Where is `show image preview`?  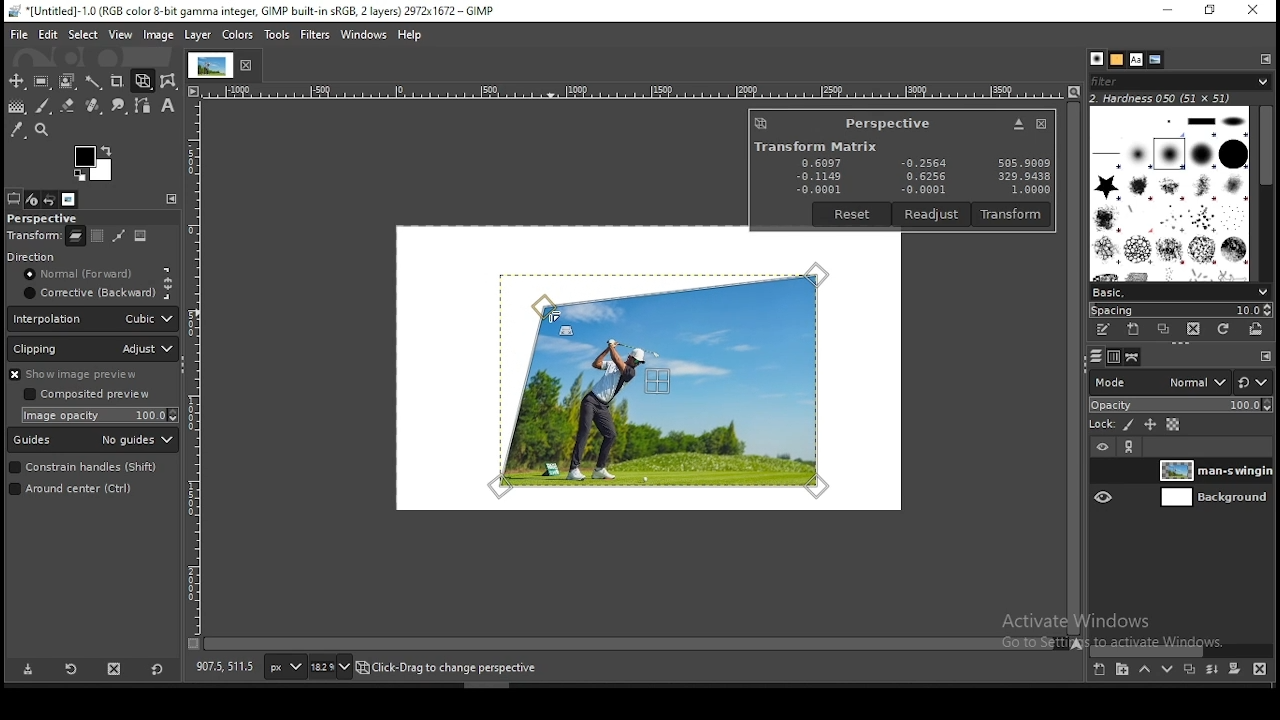
show image preview is located at coordinates (88, 374).